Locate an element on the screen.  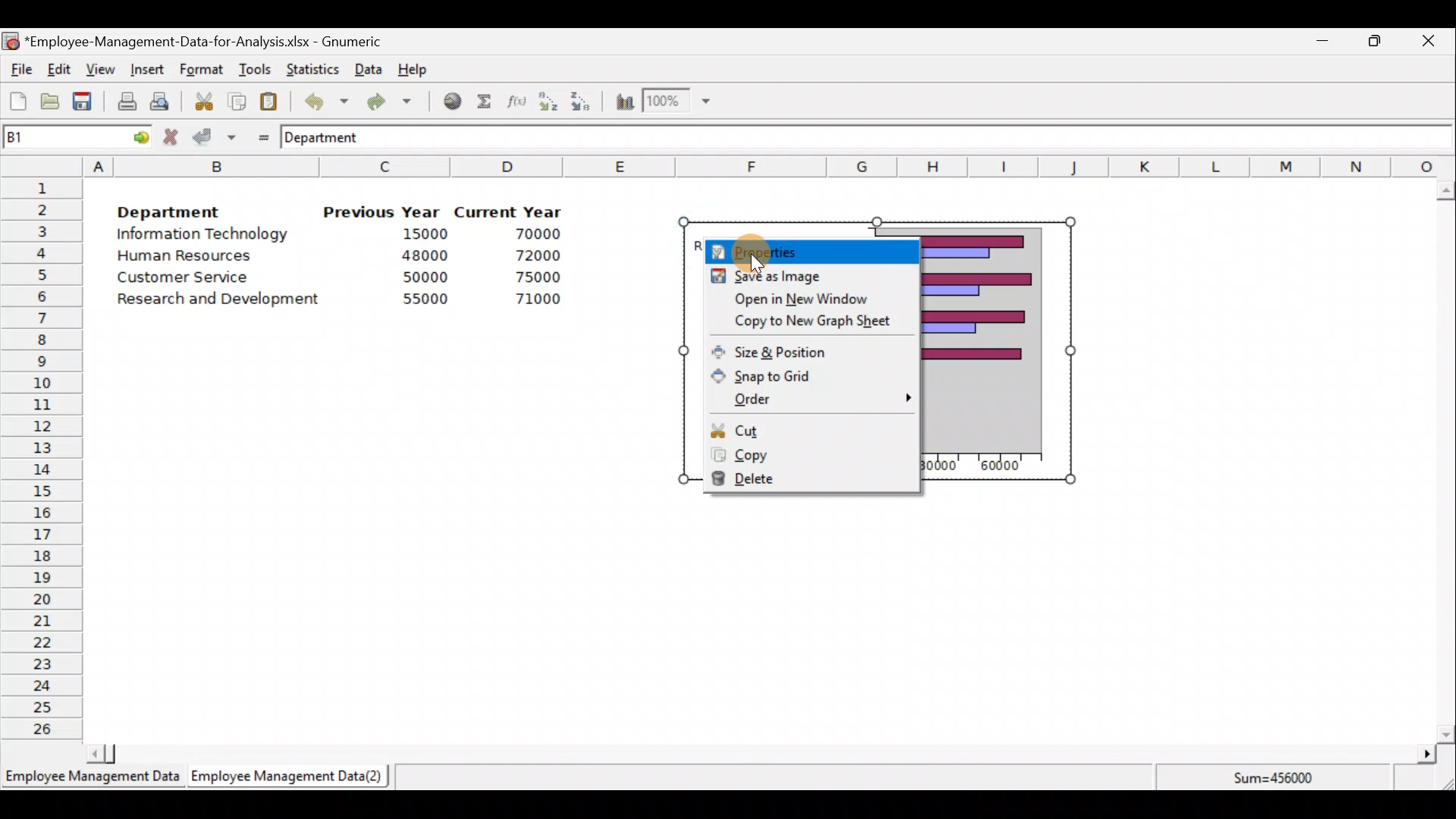
Department is located at coordinates (331, 136).